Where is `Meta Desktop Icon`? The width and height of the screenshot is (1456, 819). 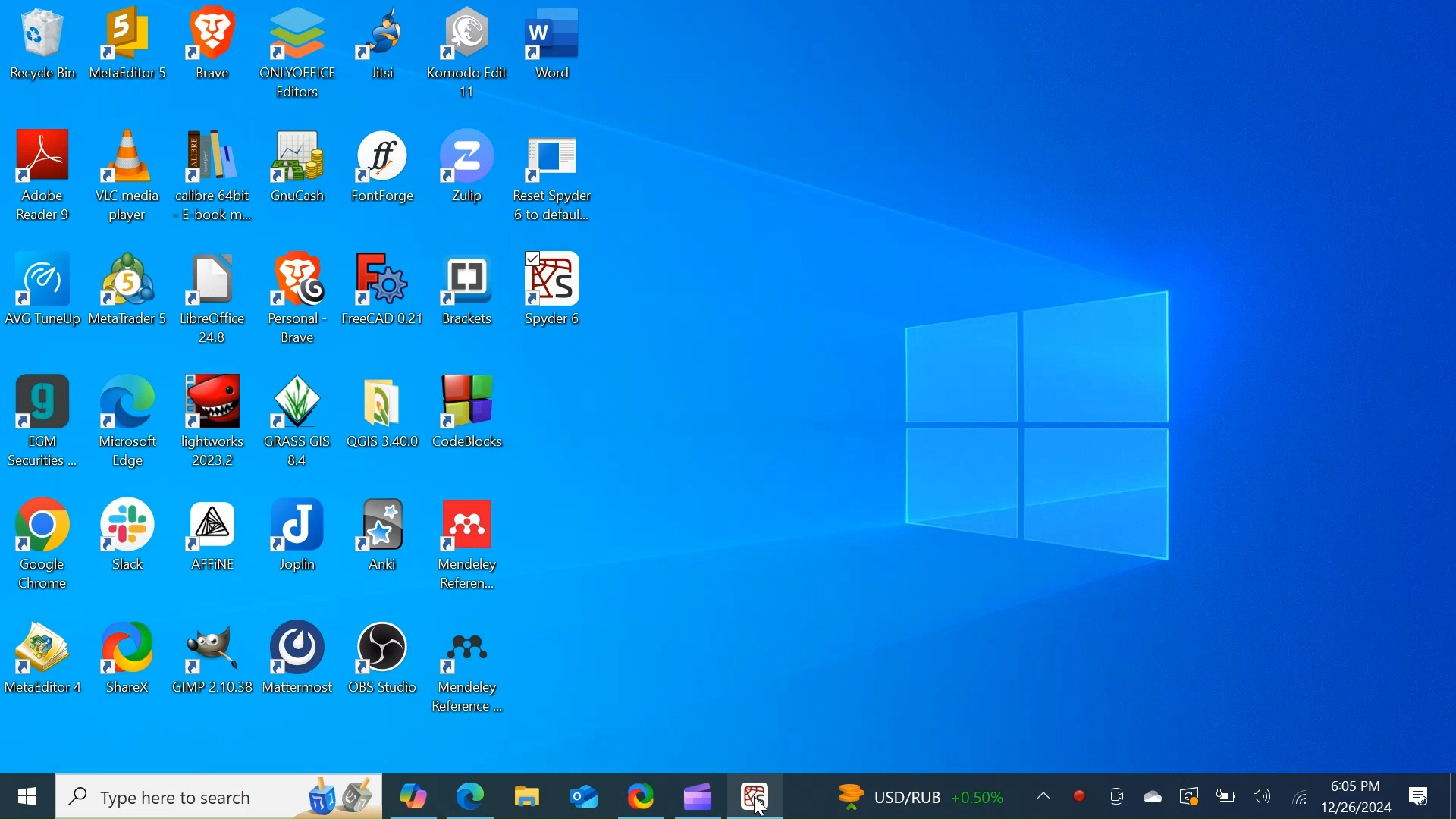
Meta Desktop Icon is located at coordinates (45, 664).